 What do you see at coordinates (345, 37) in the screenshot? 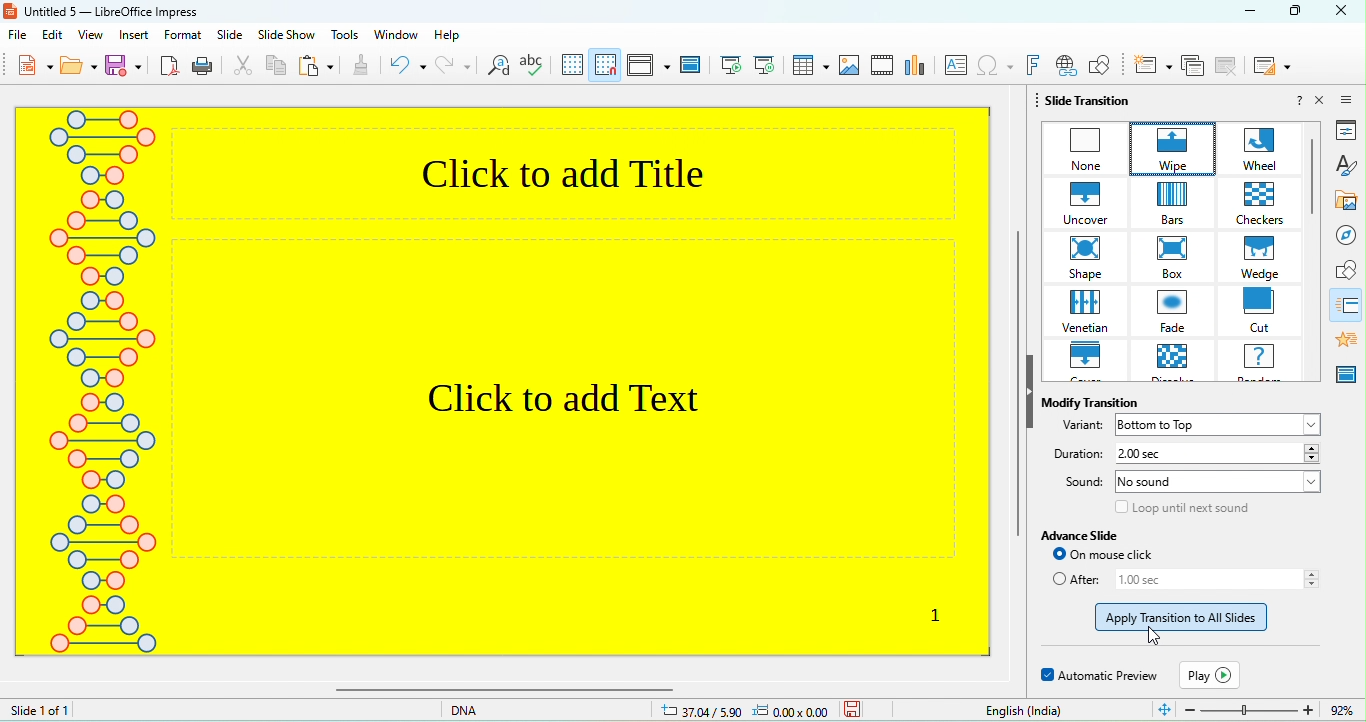
I see `tools` at bounding box center [345, 37].